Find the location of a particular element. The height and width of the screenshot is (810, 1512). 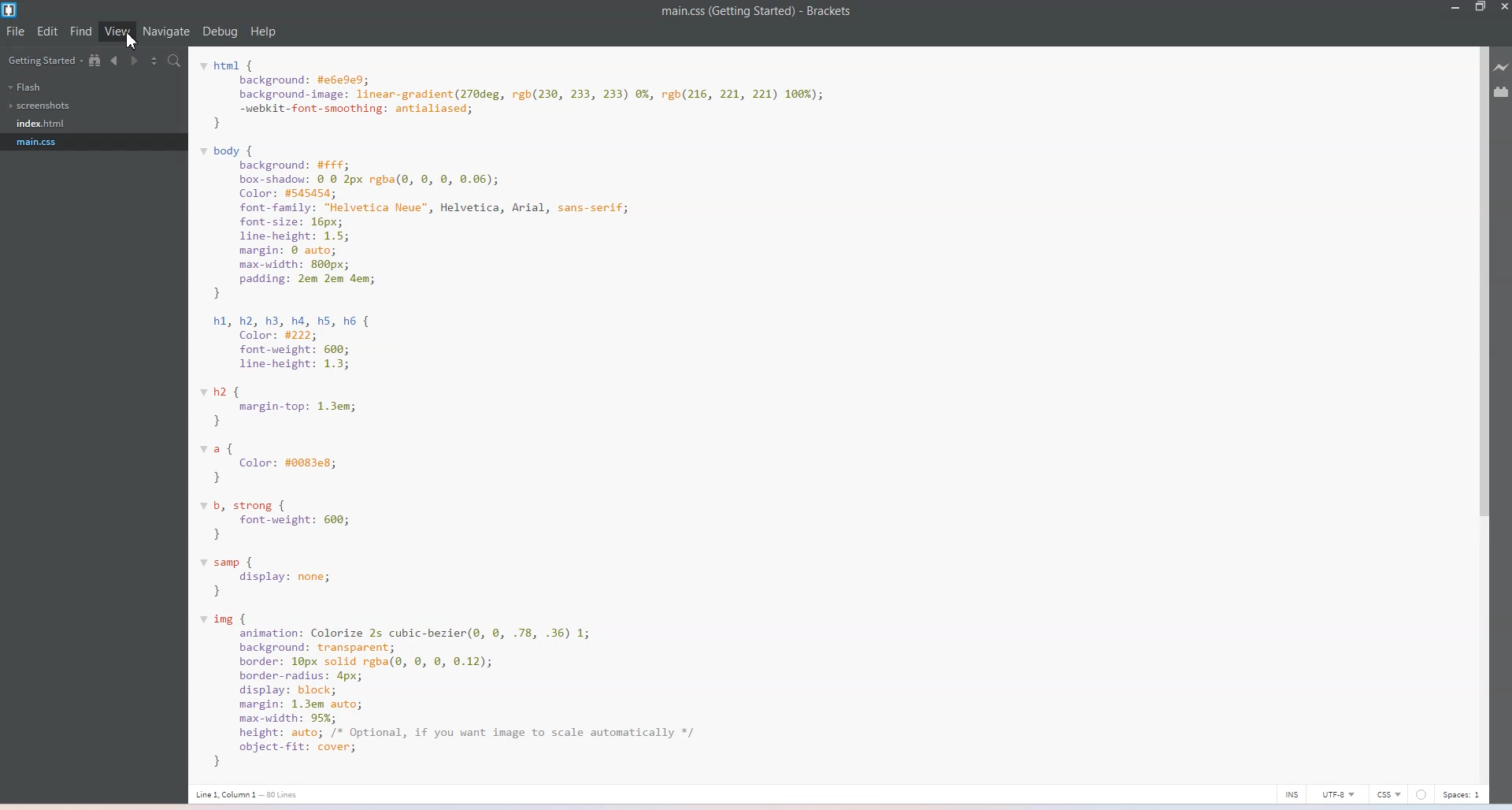

Flash is located at coordinates (25, 87).